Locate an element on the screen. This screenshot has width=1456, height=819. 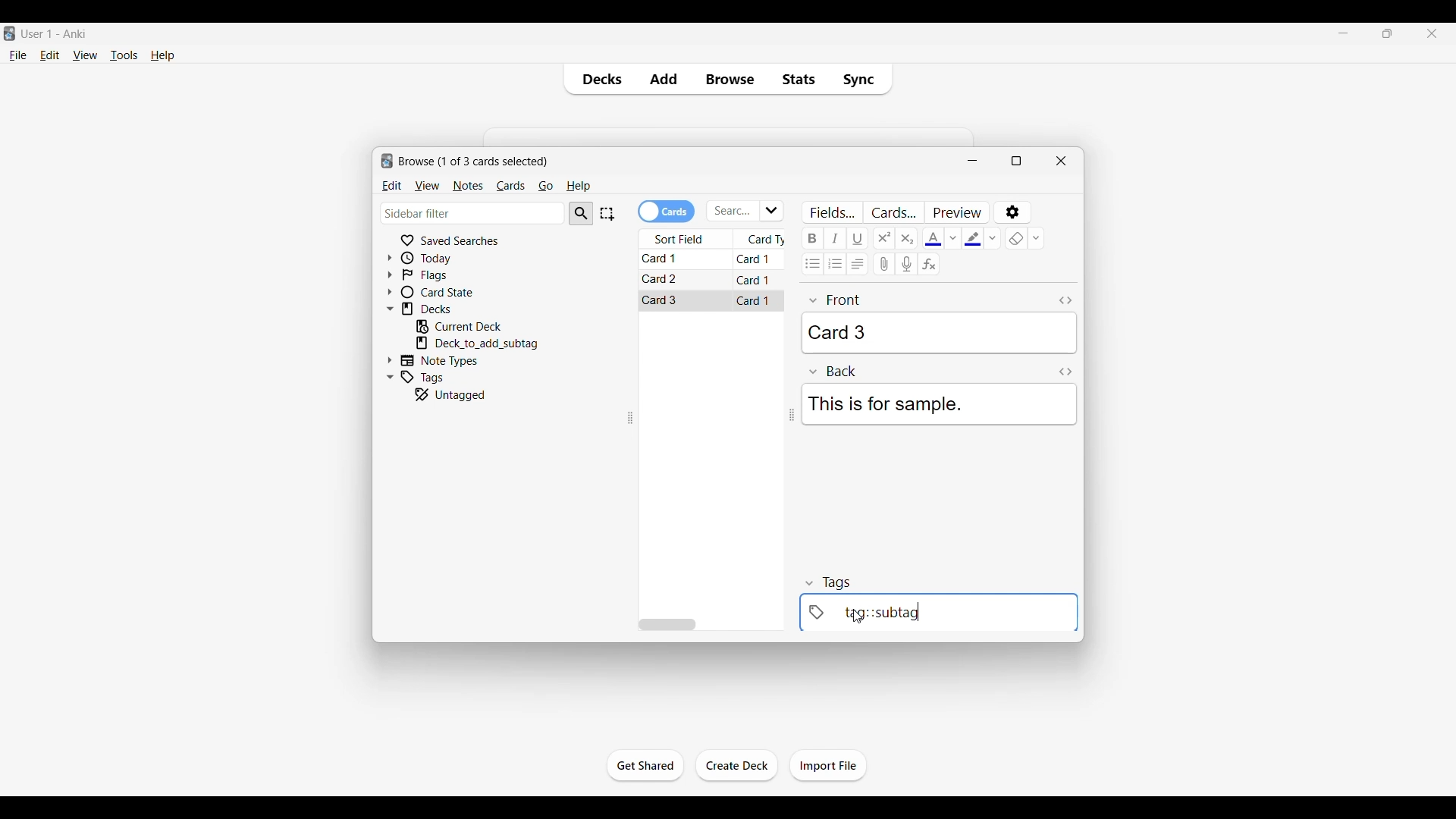
Toggle HTML editor is located at coordinates (1065, 372).